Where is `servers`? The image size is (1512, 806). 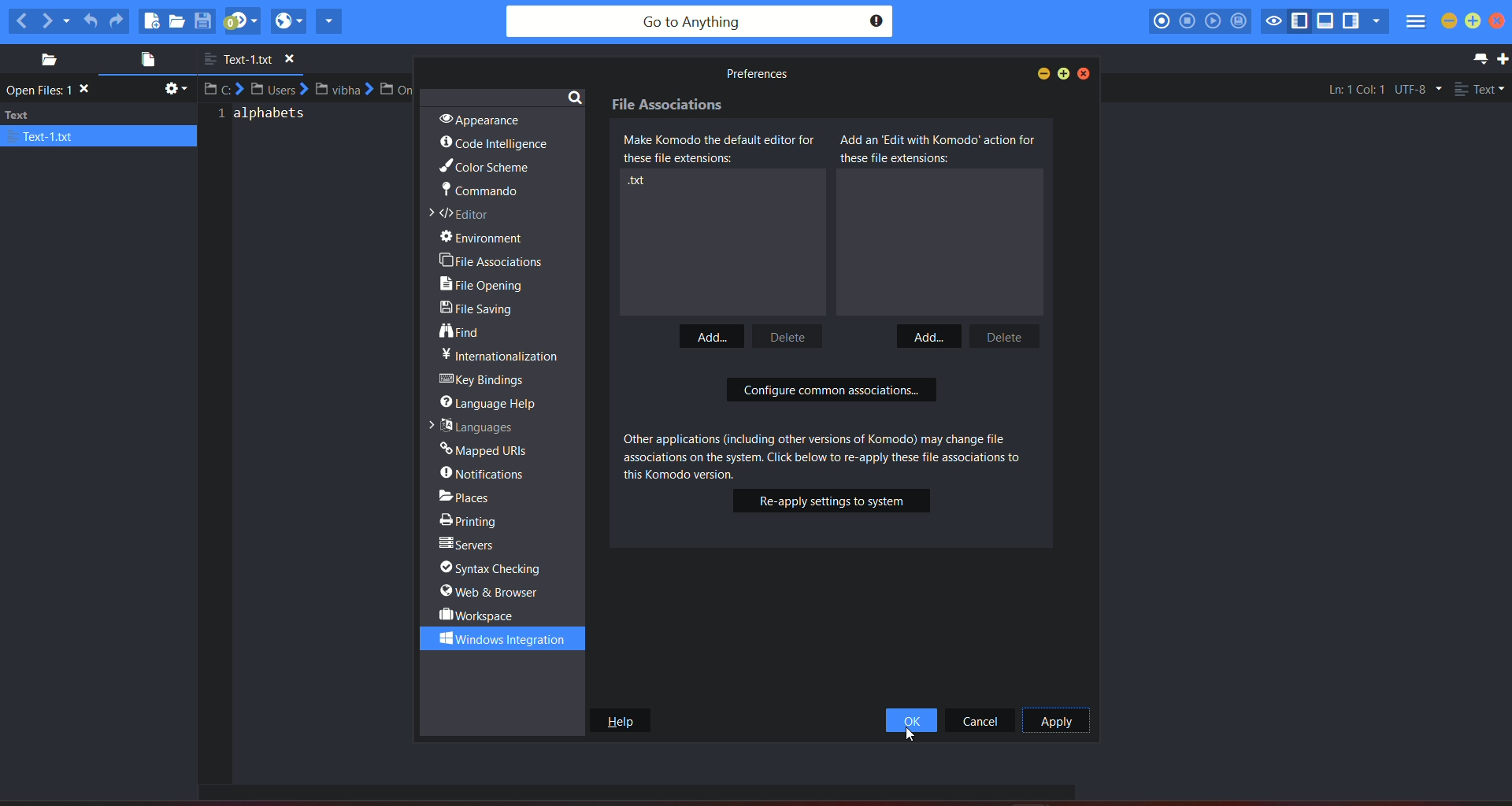
servers is located at coordinates (469, 545).